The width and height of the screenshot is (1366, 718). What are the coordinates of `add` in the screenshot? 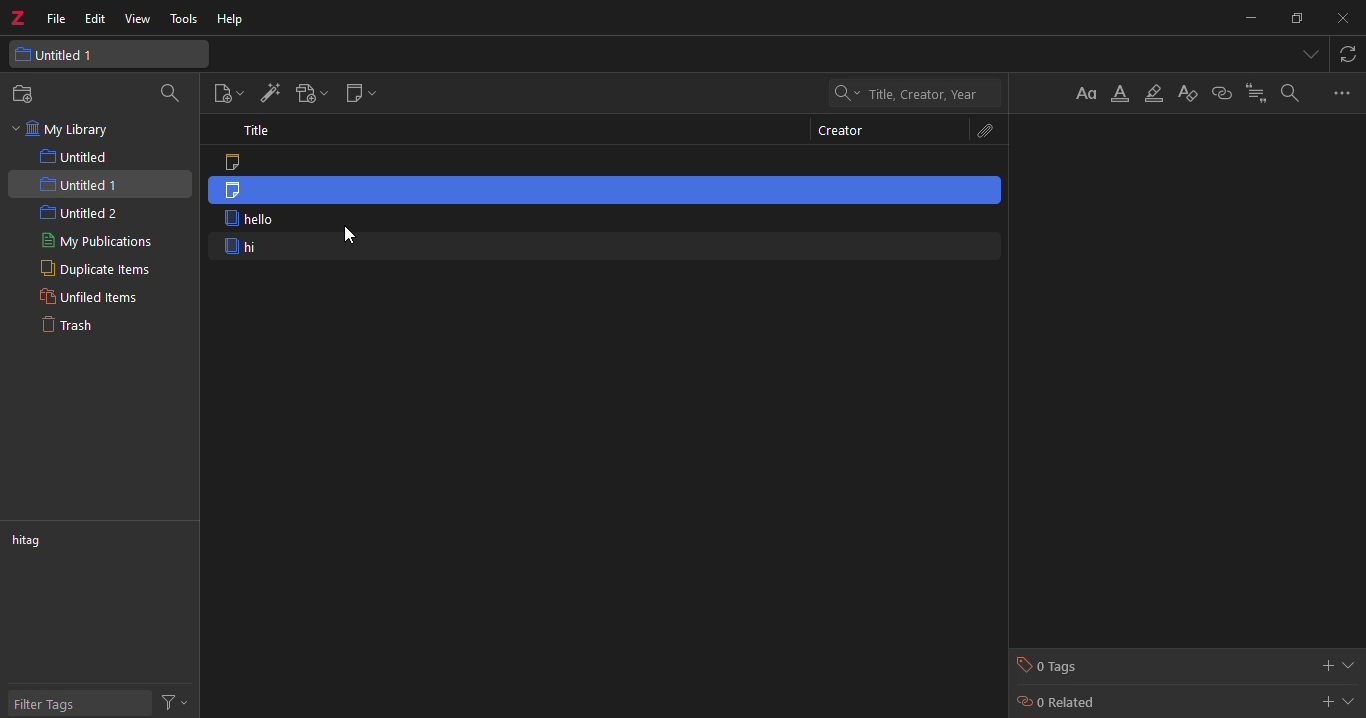 It's located at (1327, 665).